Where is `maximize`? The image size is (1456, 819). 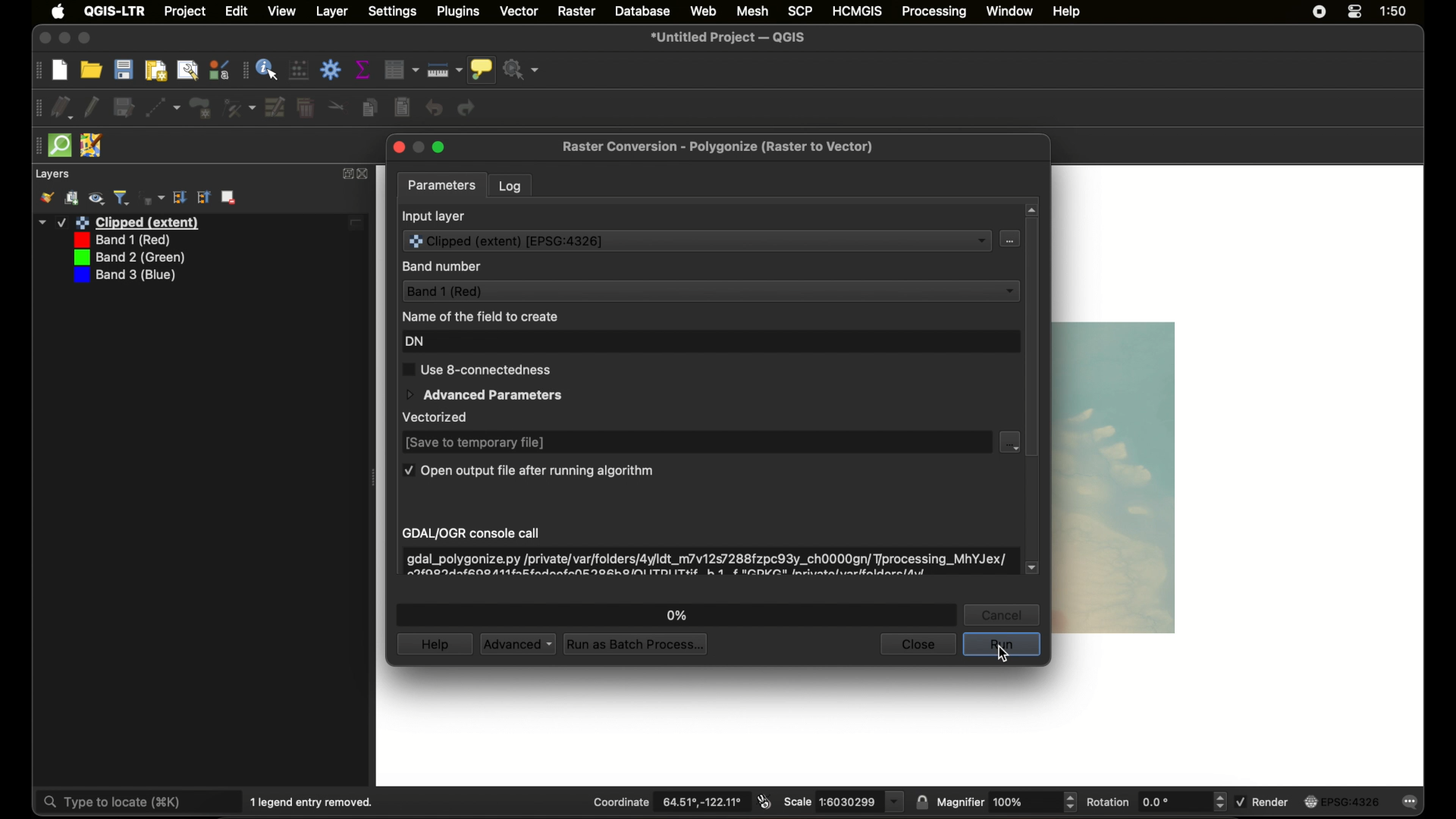
maximize is located at coordinates (438, 148).